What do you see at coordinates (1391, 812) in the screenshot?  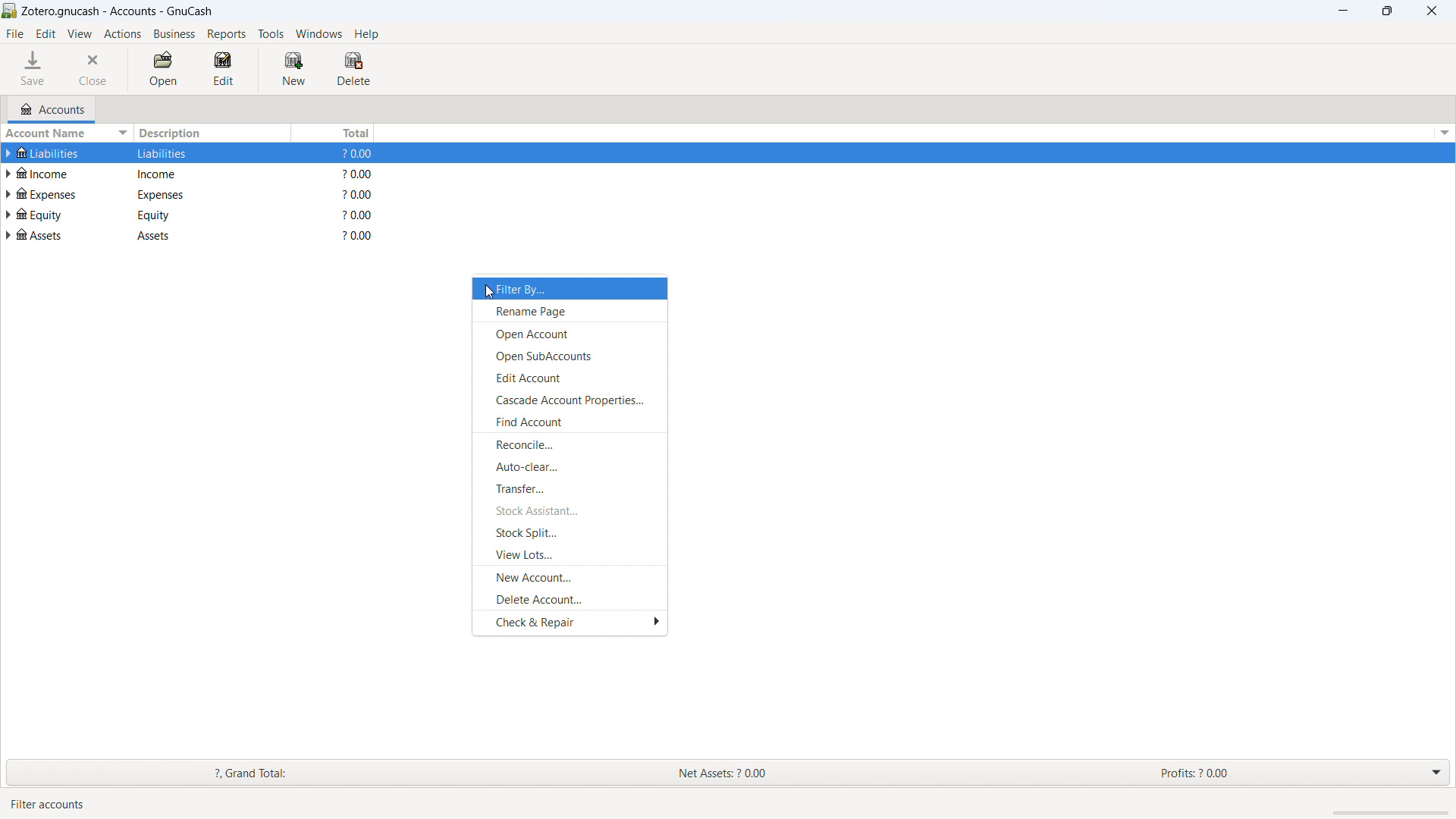 I see `scrollbar` at bounding box center [1391, 812].